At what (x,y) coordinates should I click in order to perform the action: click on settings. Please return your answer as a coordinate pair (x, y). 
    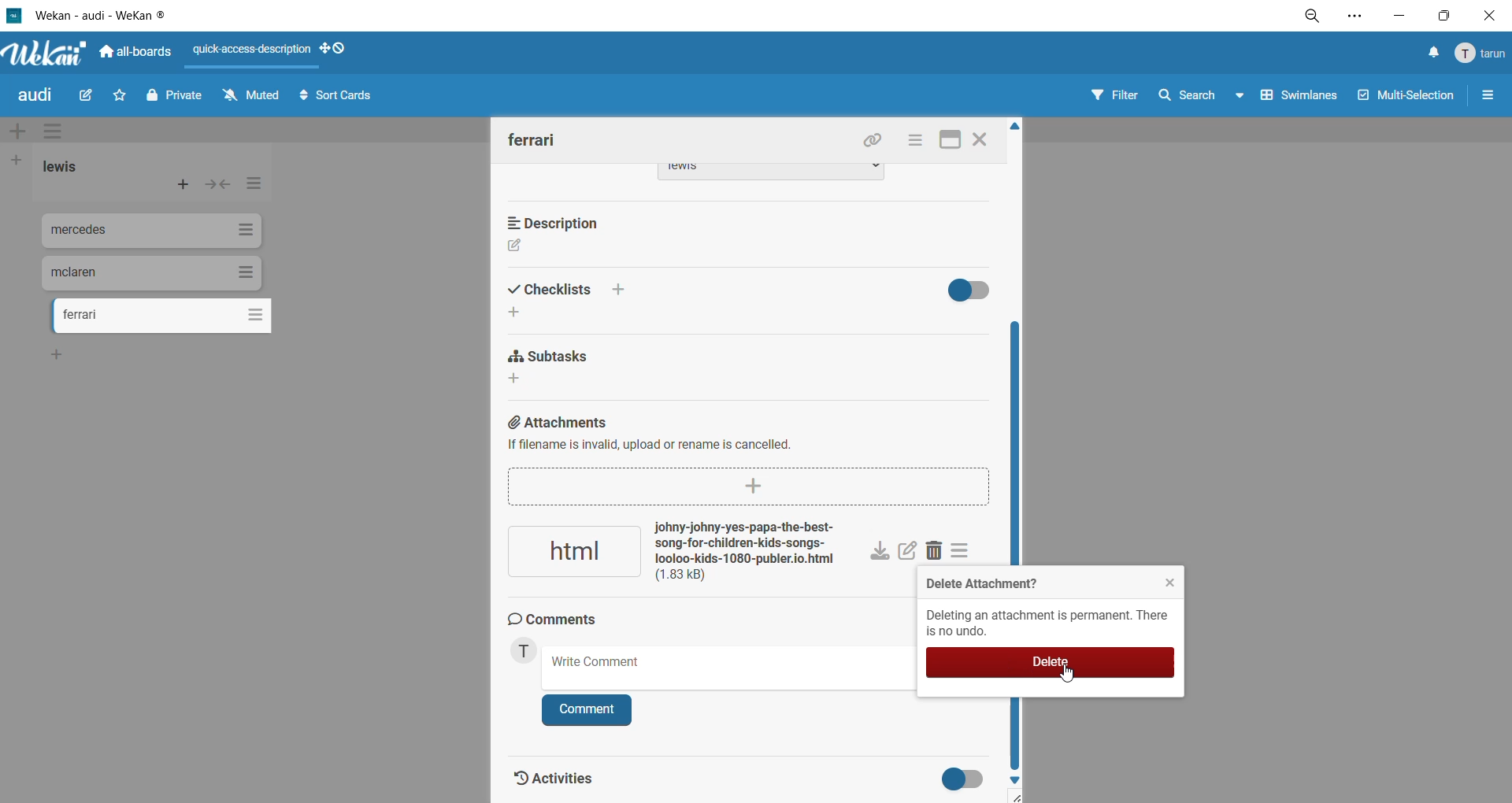
    Looking at the image, I should click on (1363, 16).